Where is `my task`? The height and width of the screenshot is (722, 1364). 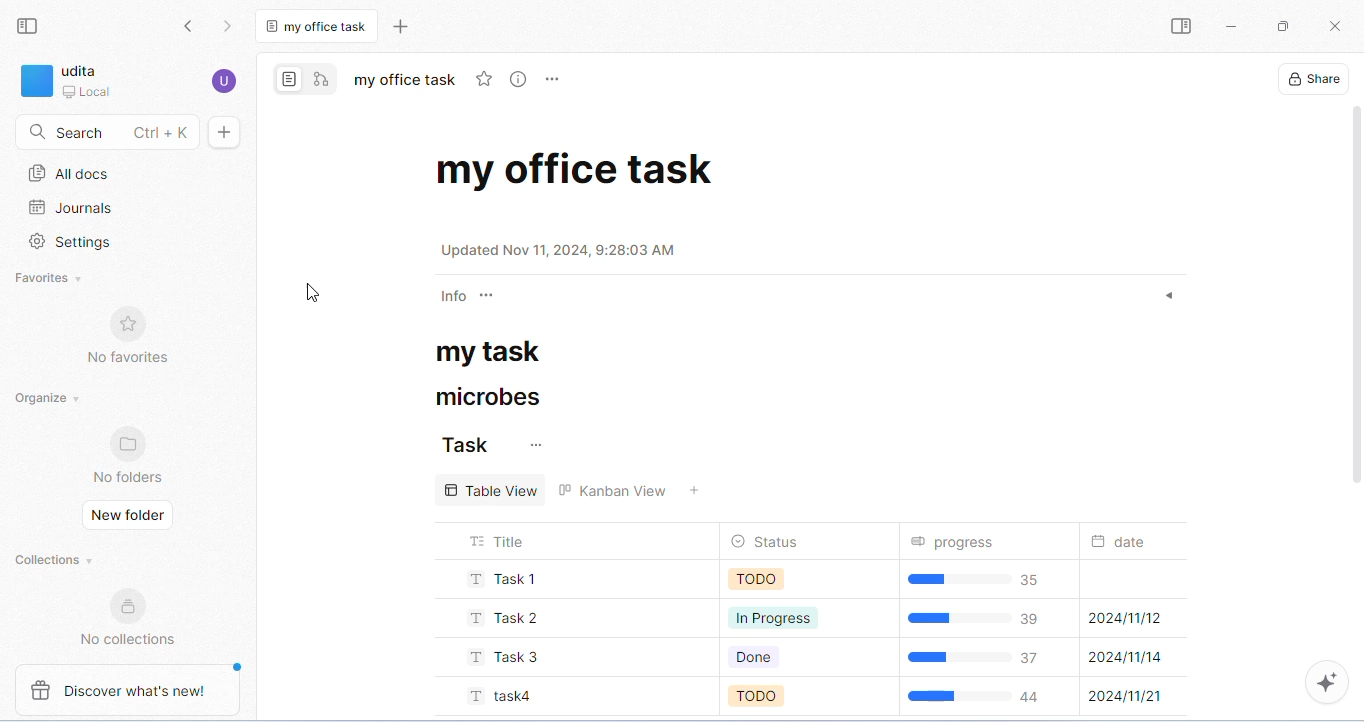
my task is located at coordinates (499, 352).